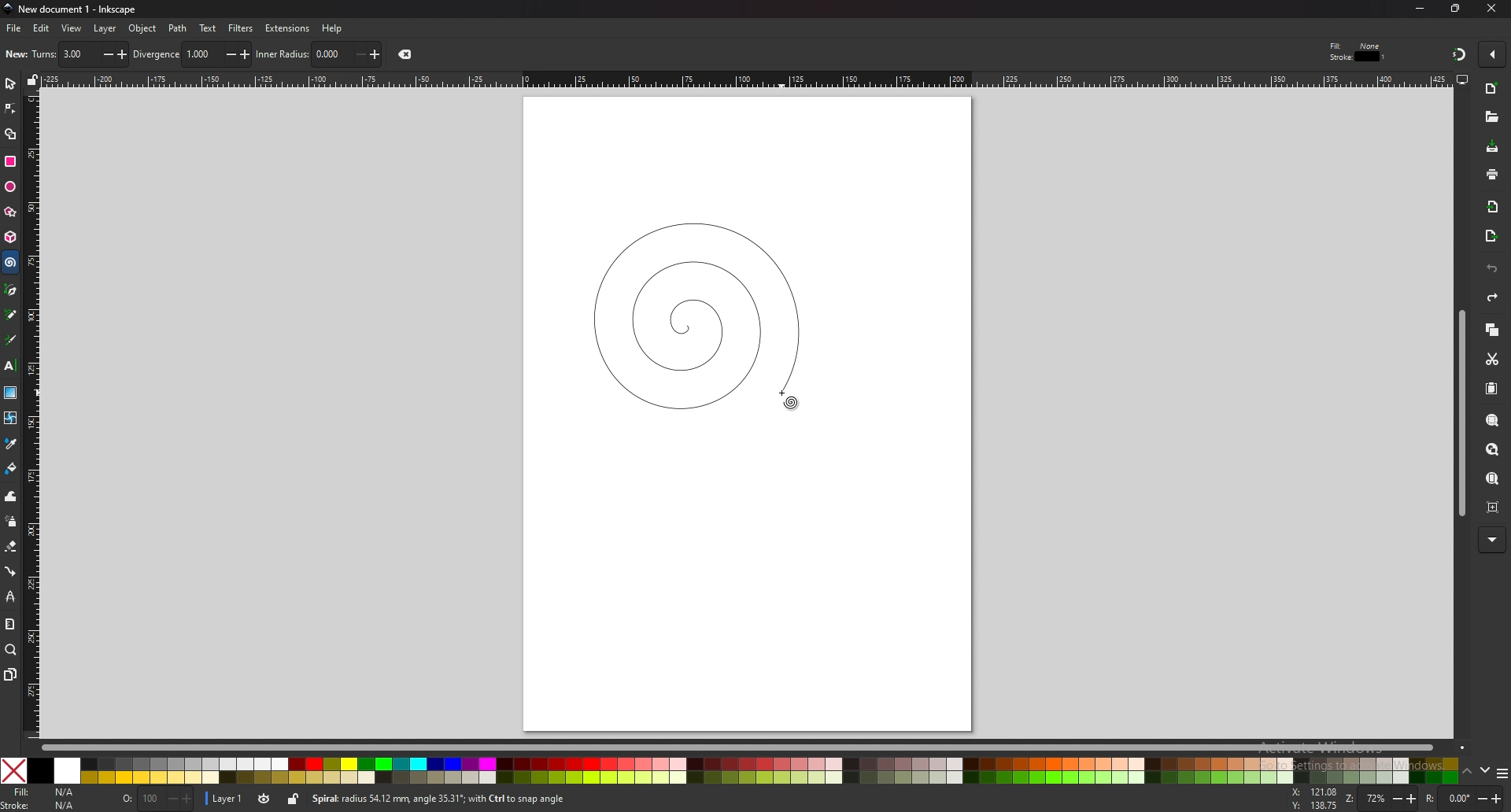 This screenshot has width=1511, height=812. I want to click on open, so click(1491, 119).